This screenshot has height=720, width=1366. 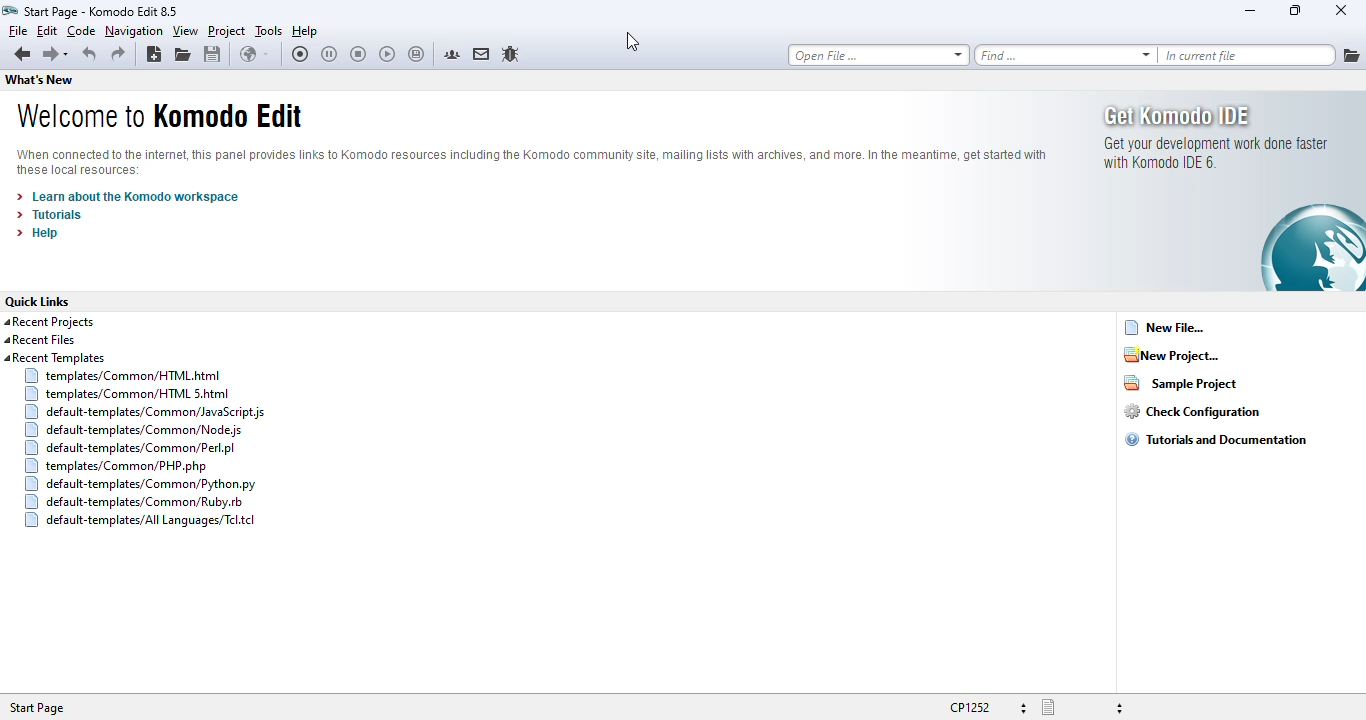 I want to click on cursor, so click(x=633, y=41).